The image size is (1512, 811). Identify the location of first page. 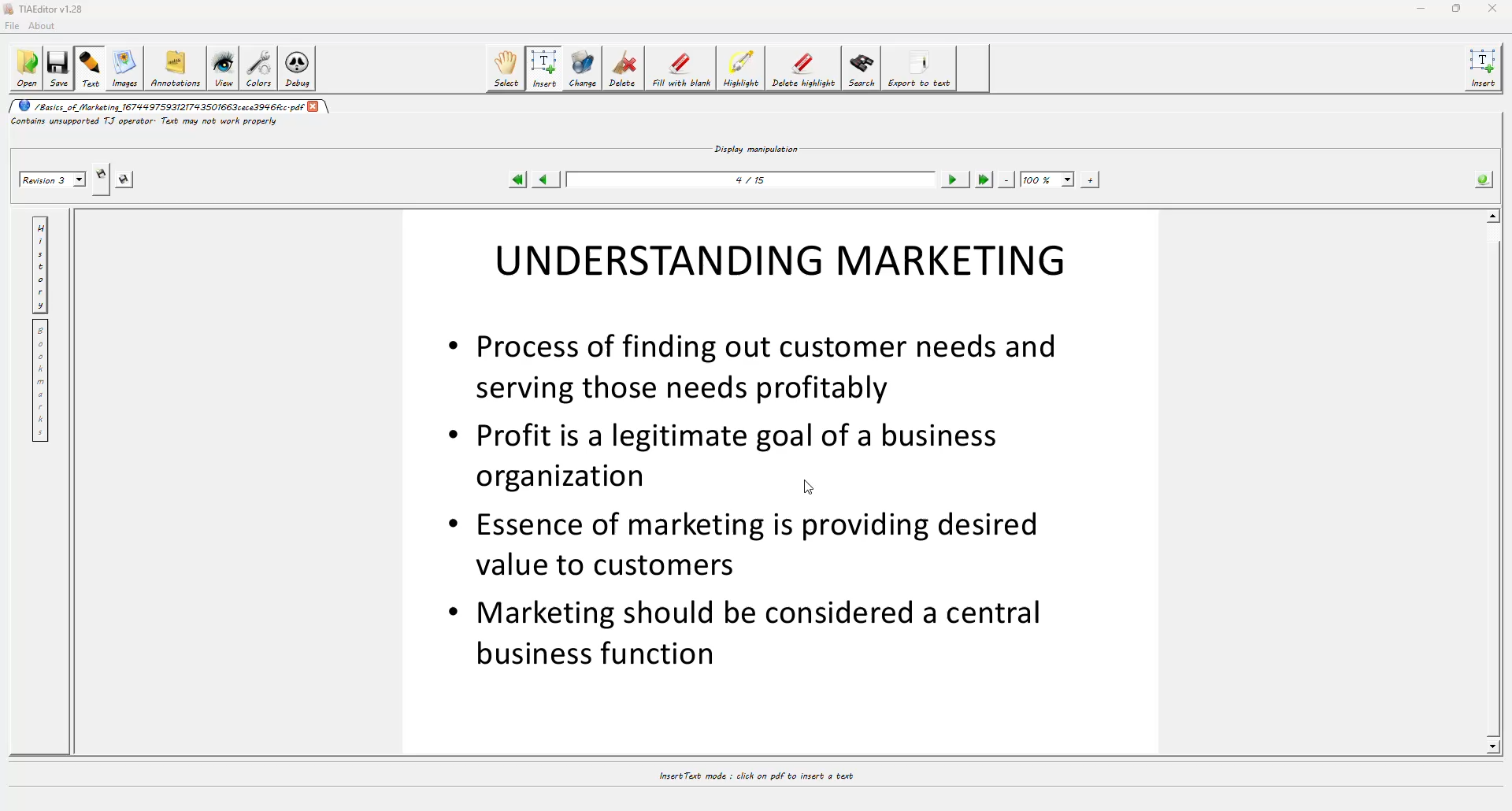
(518, 180).